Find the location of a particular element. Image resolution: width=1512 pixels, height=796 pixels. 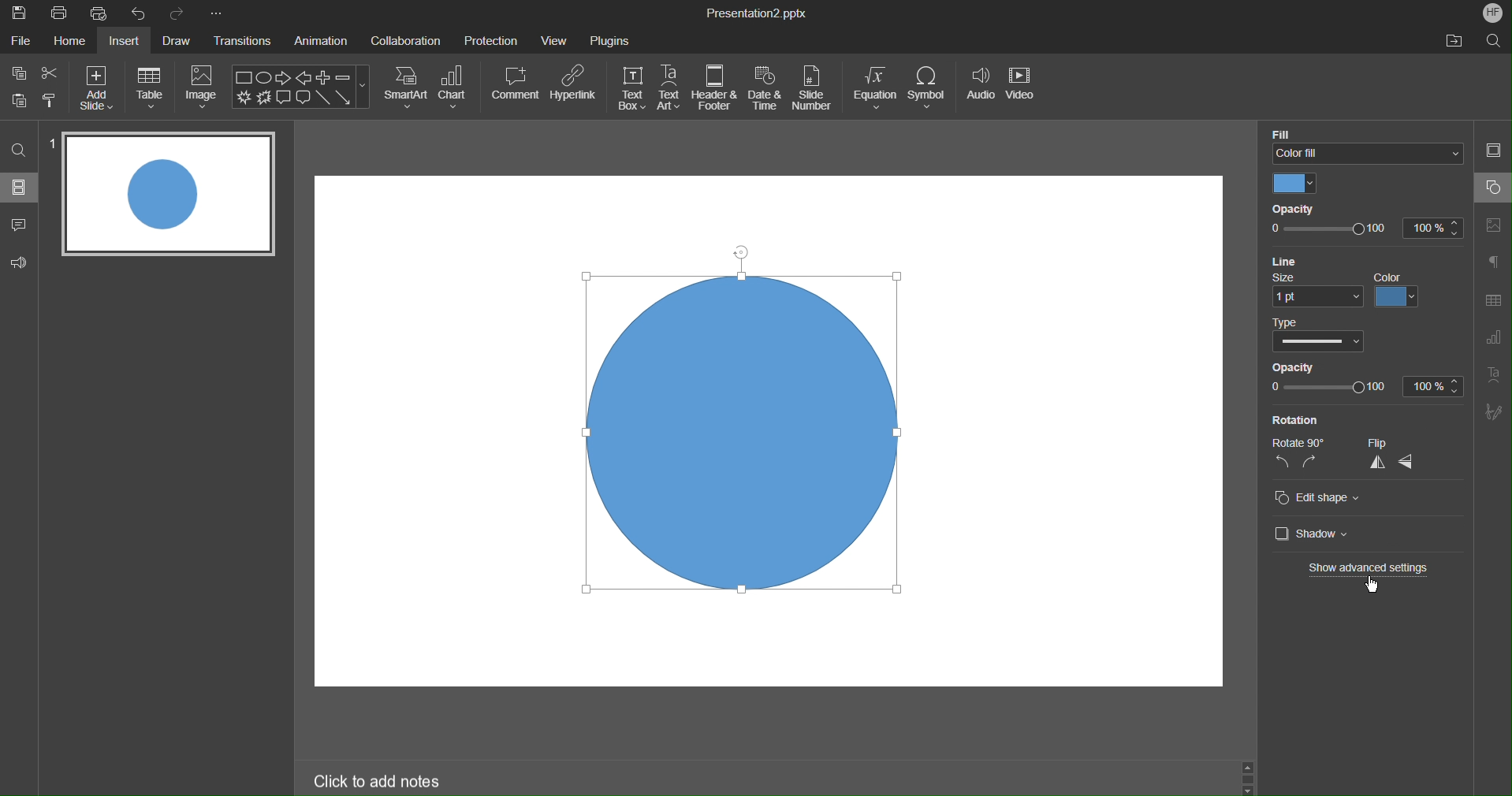

Signature is located at coordinates (1494, 413).